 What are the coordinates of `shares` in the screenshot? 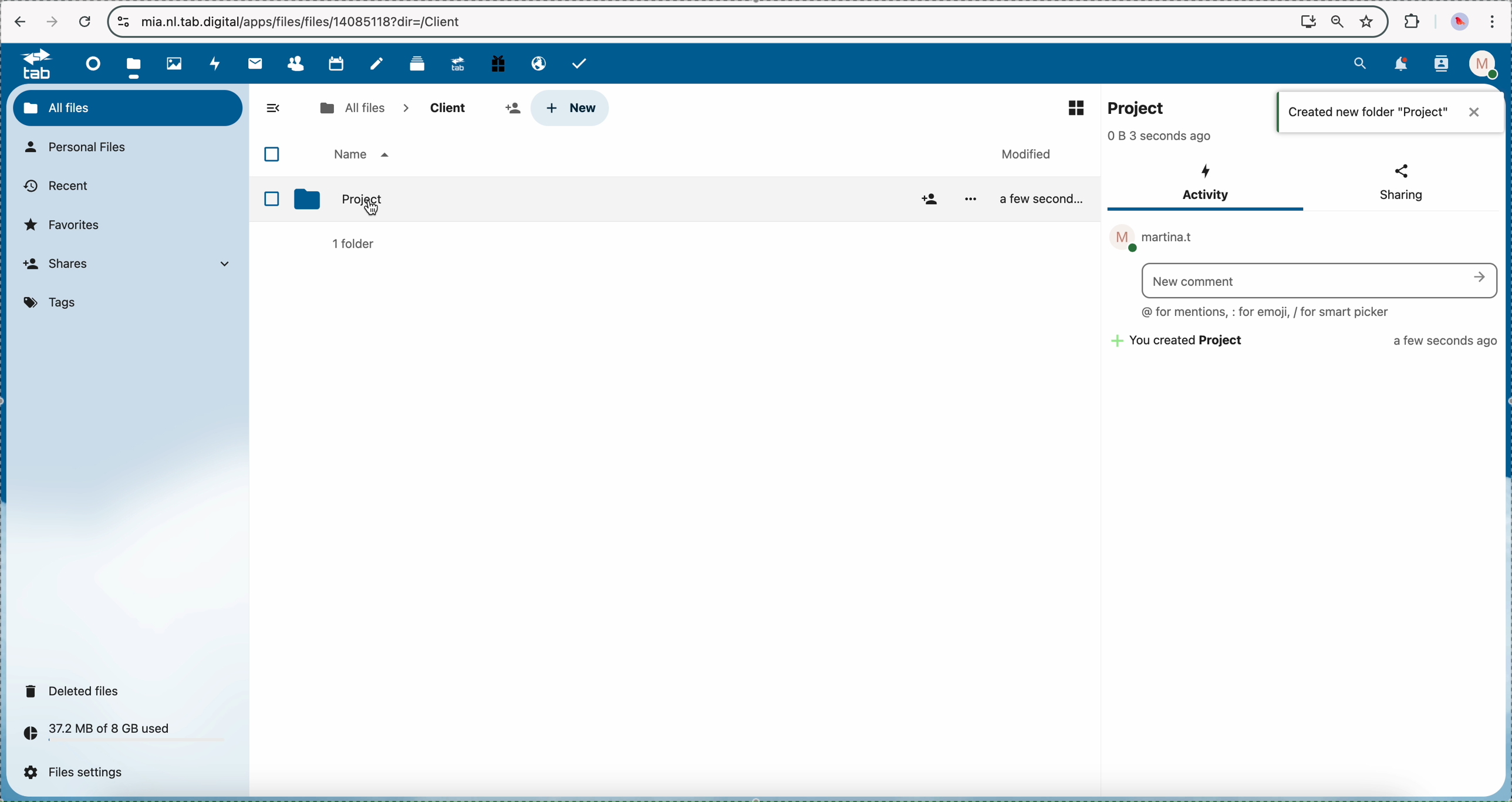 It's located at (132, 265).